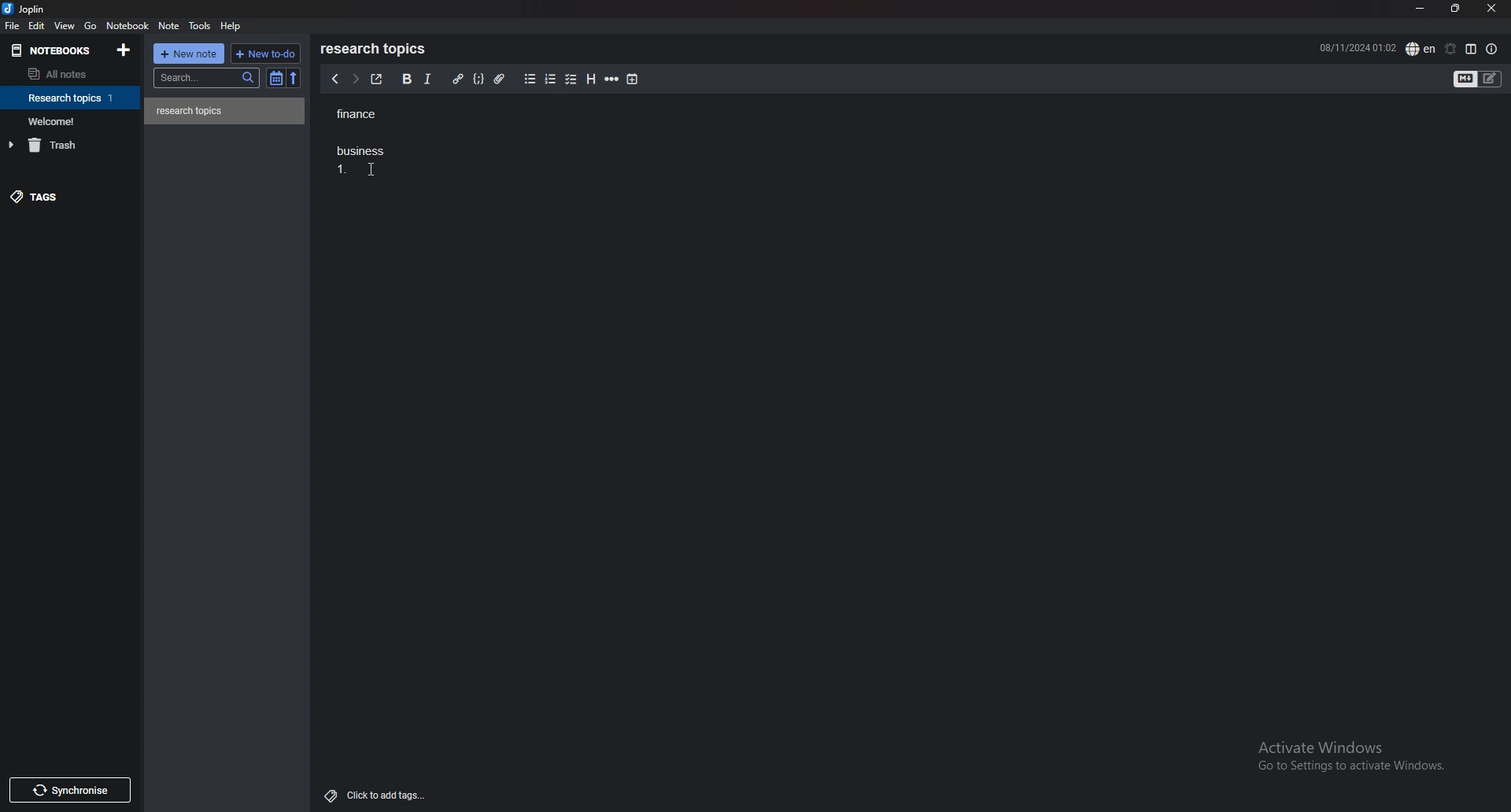 The height and width of the screenshot is (812, 1511). Describe the element at coordinates (233, 25) in the screenshot. I see `help` at that location.